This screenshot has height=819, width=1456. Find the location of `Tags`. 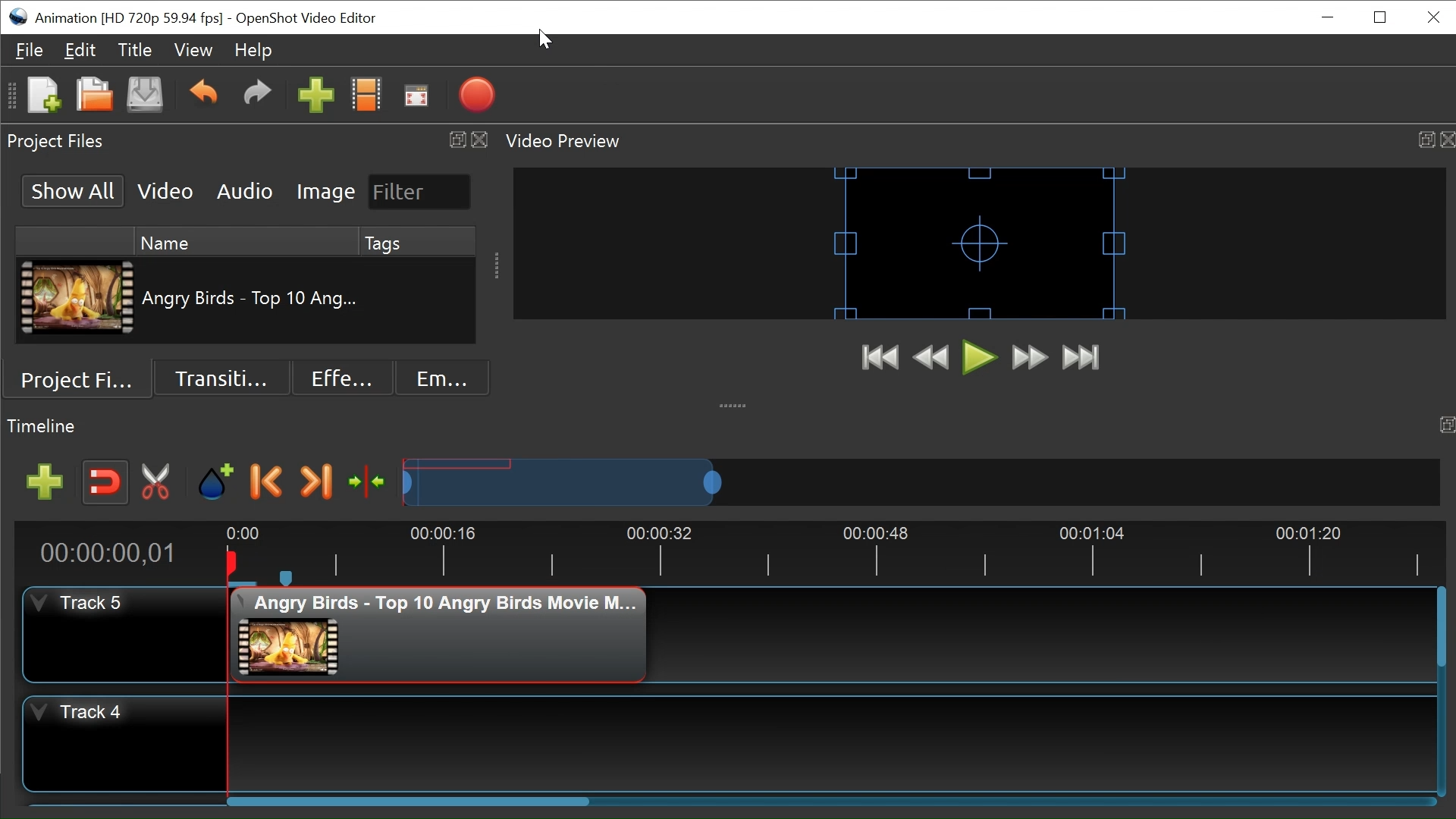

Tags is located at coordinates (417, 242).